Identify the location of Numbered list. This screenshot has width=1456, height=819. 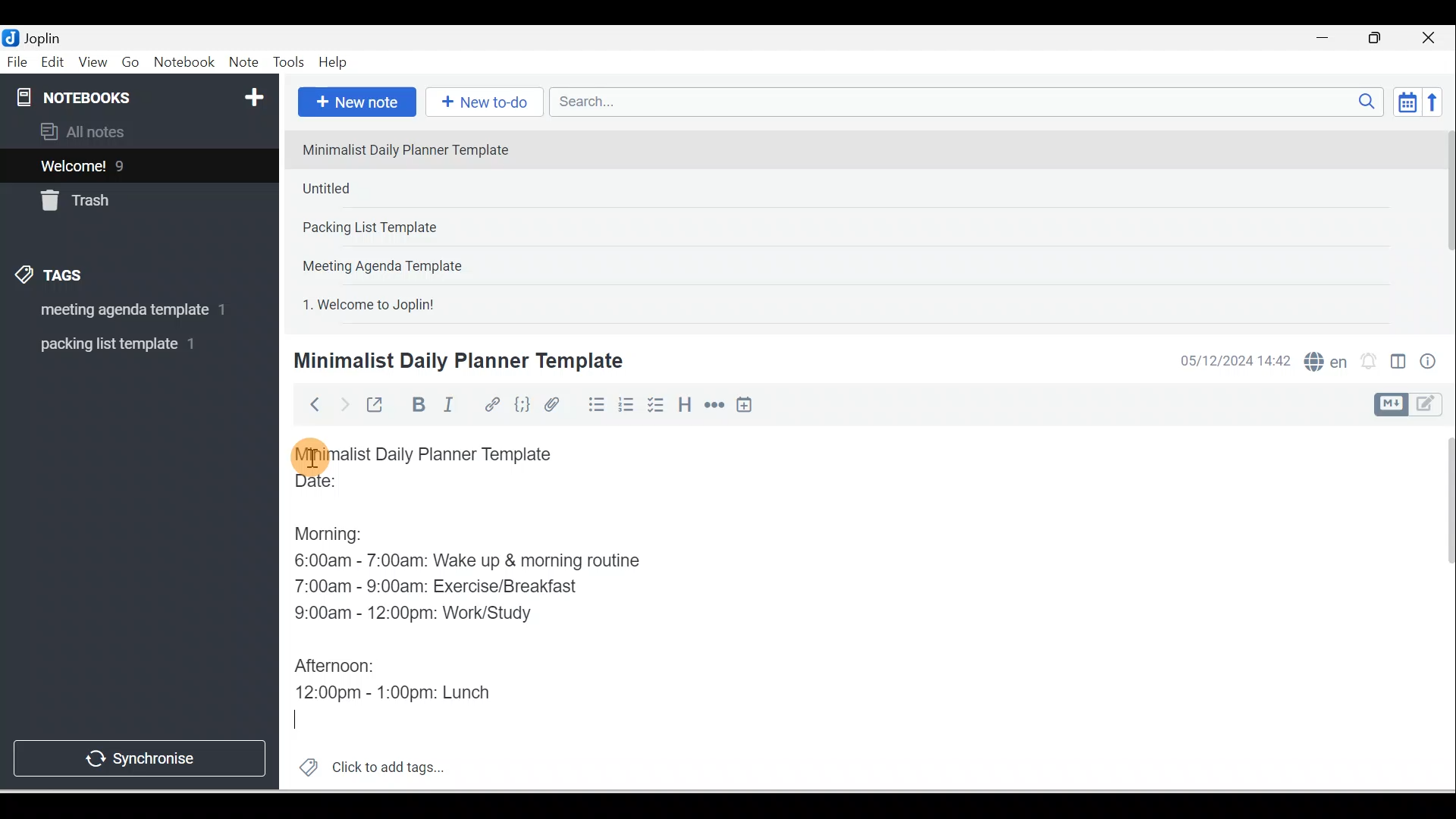
(626, 404).